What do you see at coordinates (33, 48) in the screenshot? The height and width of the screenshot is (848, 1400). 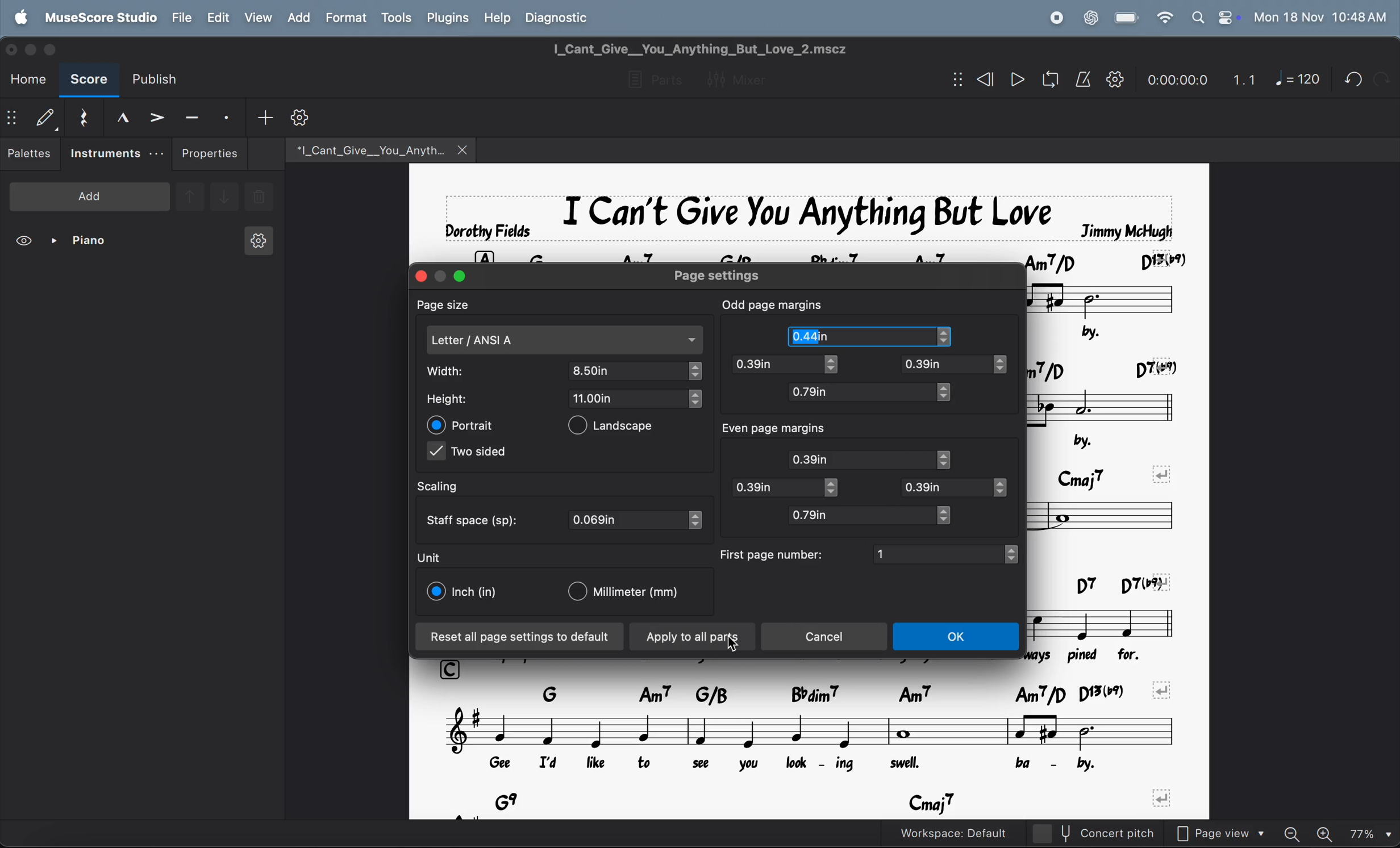 I see `minimize` at bounding box center [33, 48].